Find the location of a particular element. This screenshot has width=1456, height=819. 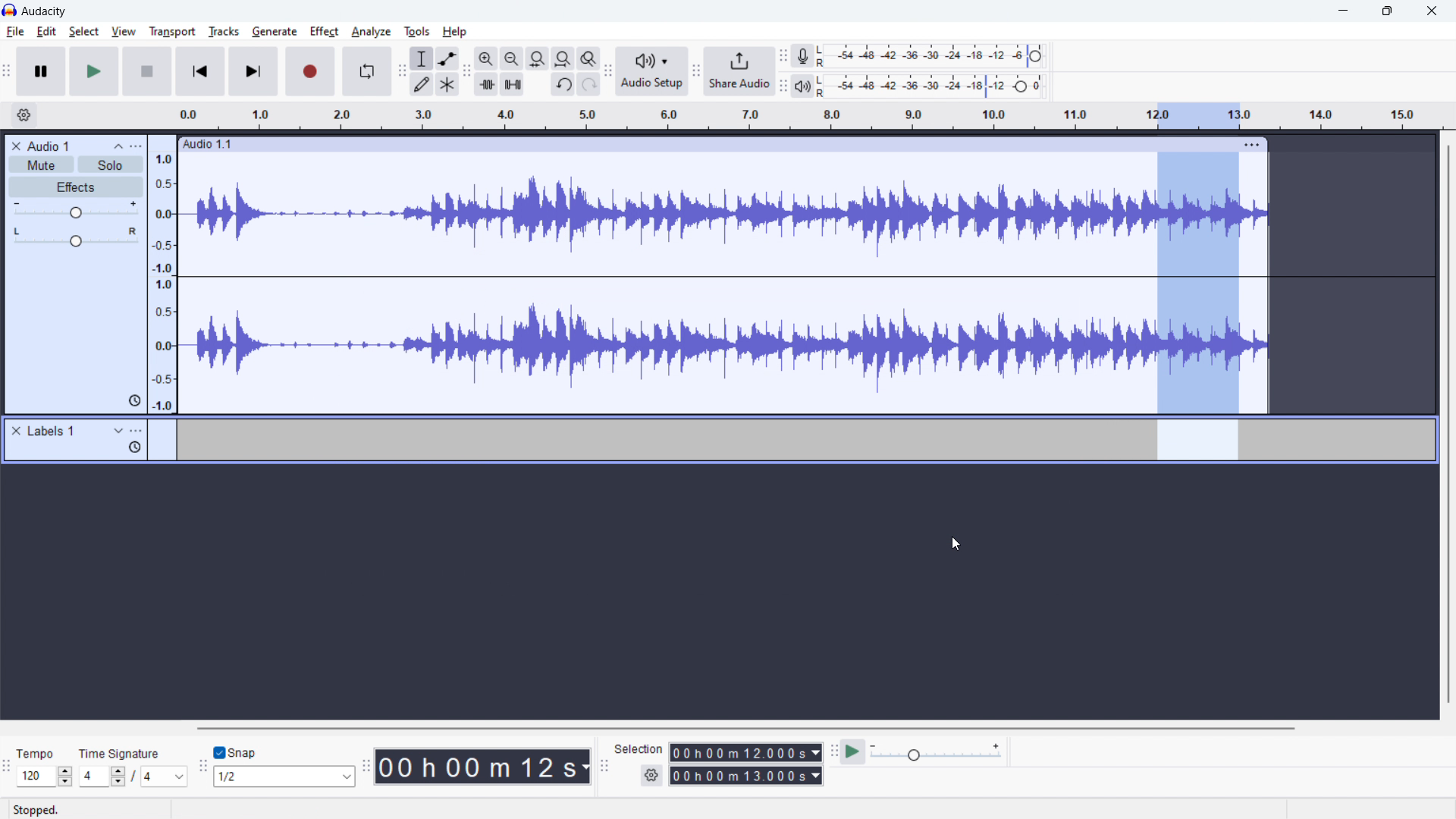

share audio is located at coordinates (738, 71).